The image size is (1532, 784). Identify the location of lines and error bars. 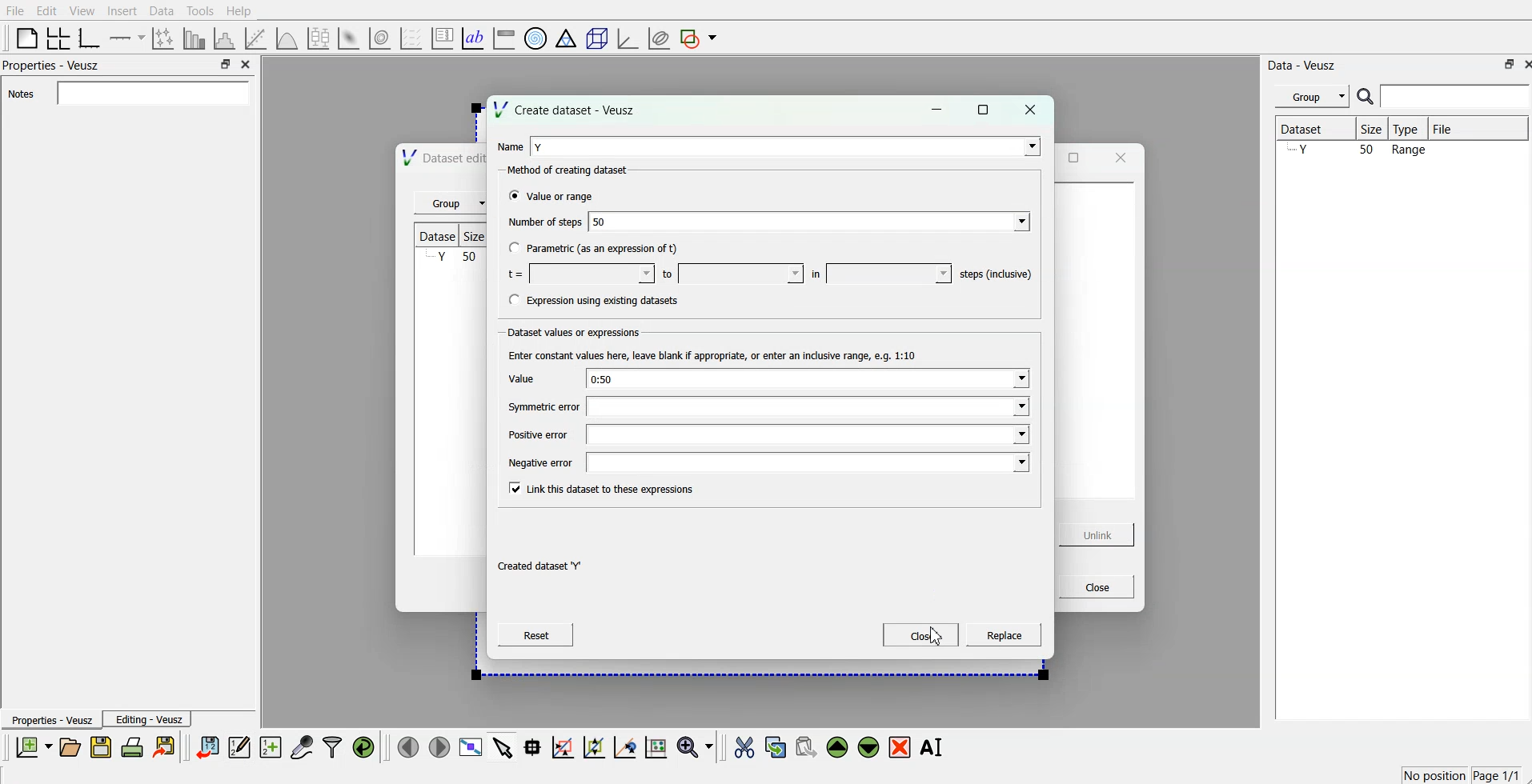
(165, 38).